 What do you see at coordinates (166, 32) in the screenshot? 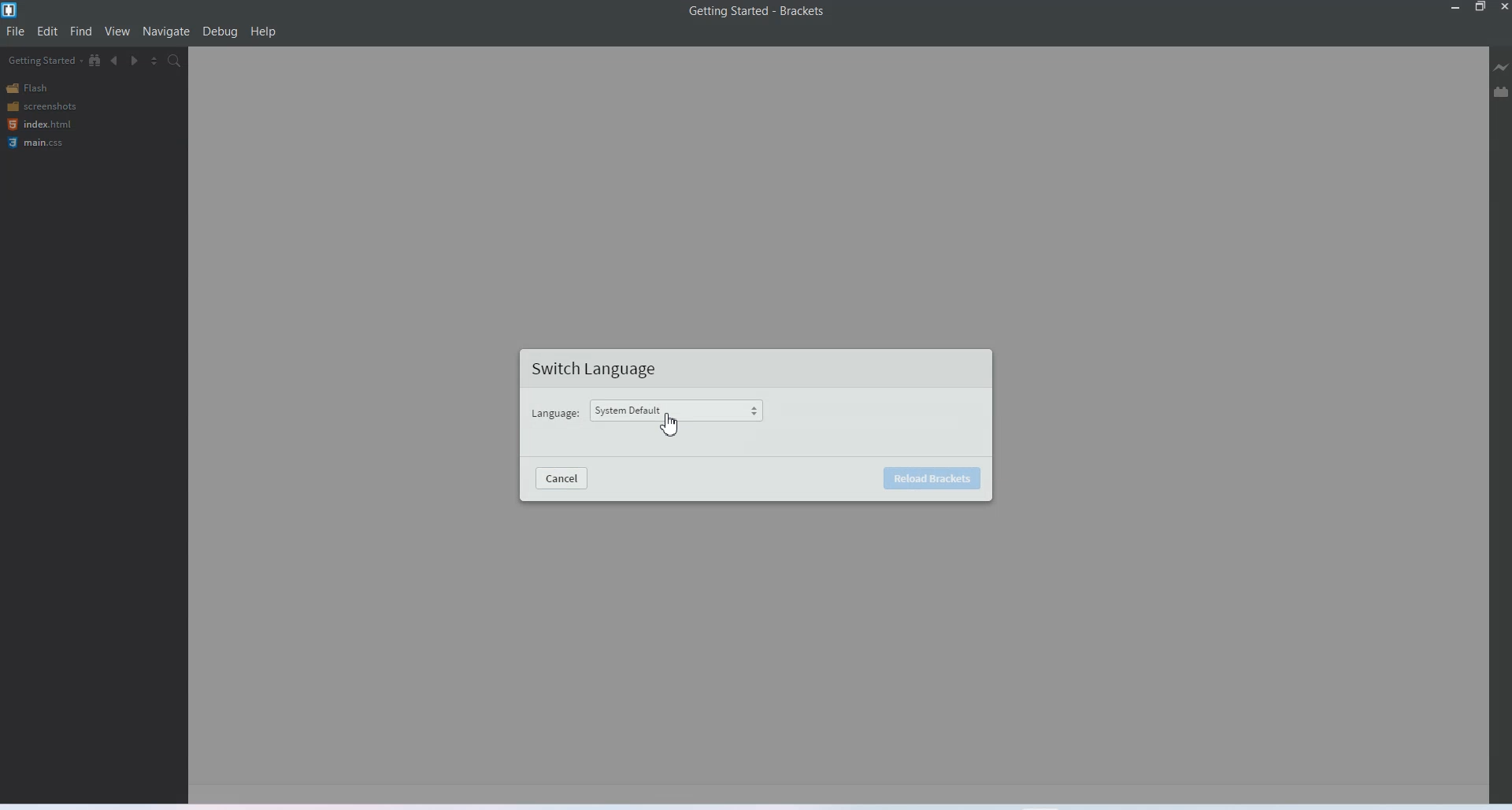
I see `Navigate` at bounding box center [166, 32].